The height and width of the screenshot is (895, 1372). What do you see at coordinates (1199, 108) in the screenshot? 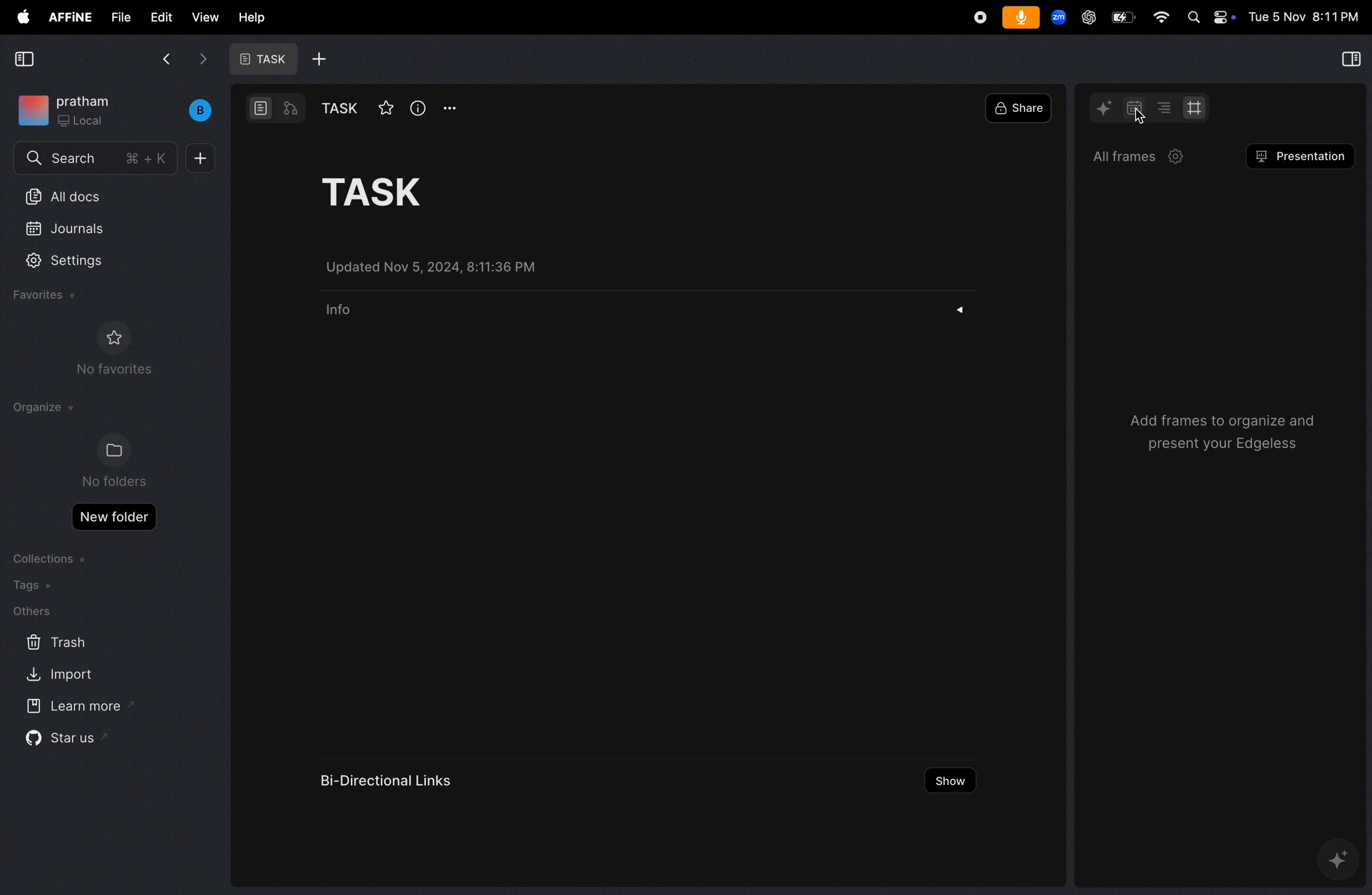
I see `grid` at bounding box center [1199, 108].